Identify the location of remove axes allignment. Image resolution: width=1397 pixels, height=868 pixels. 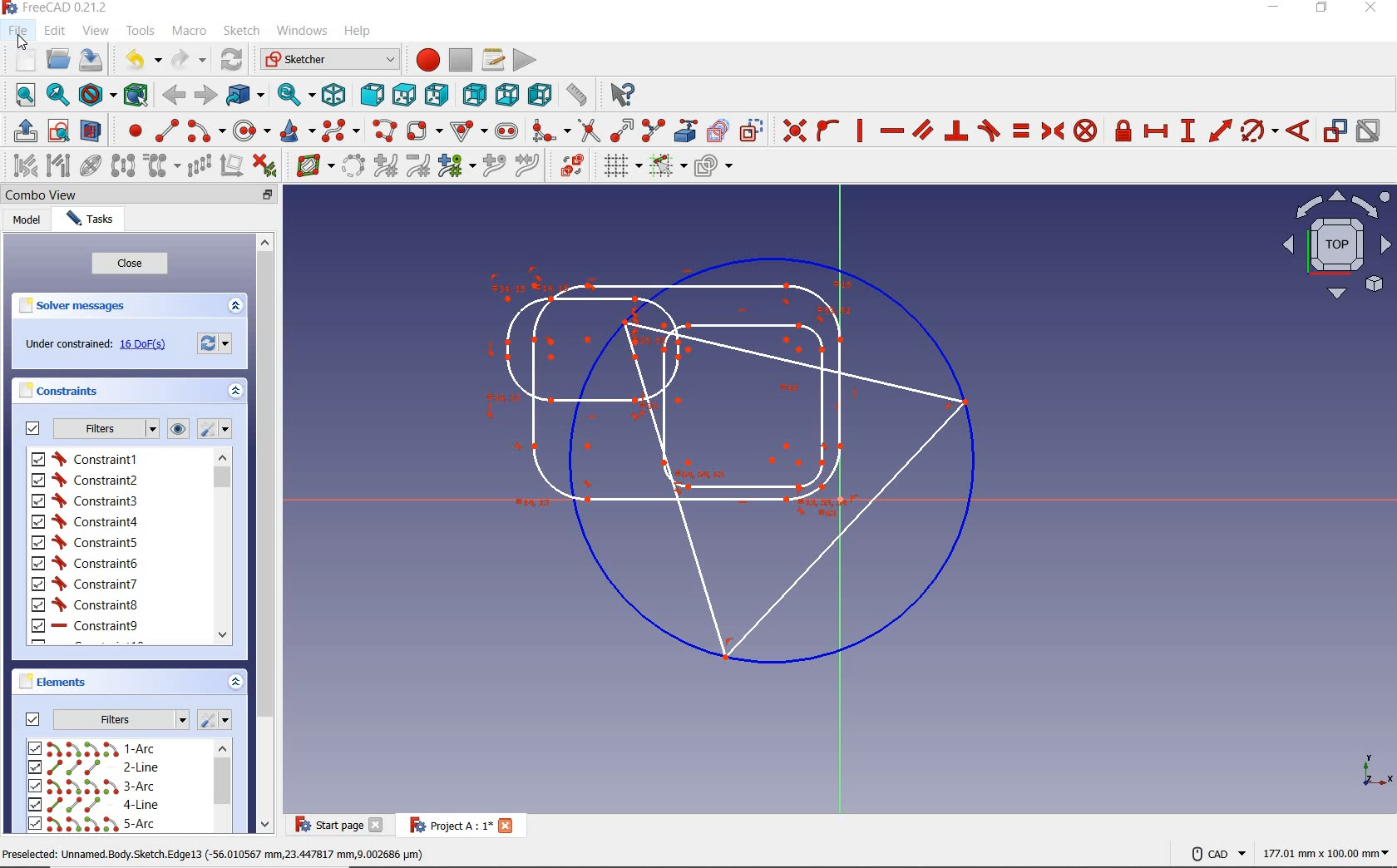
(235, 167).